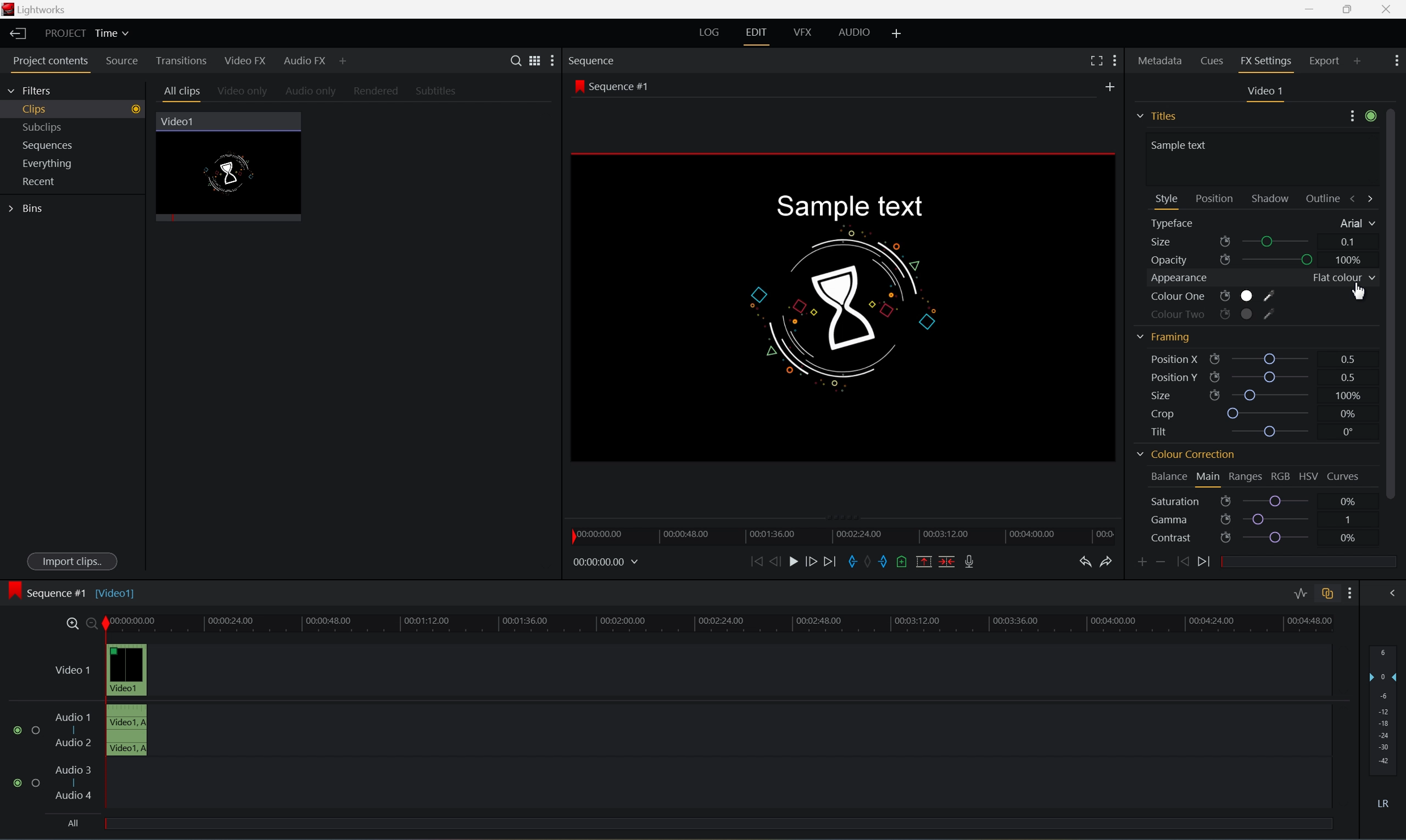 The width and height of the screenshot is (1406, 840). I want to click on sequence#1, so click(59, 590).